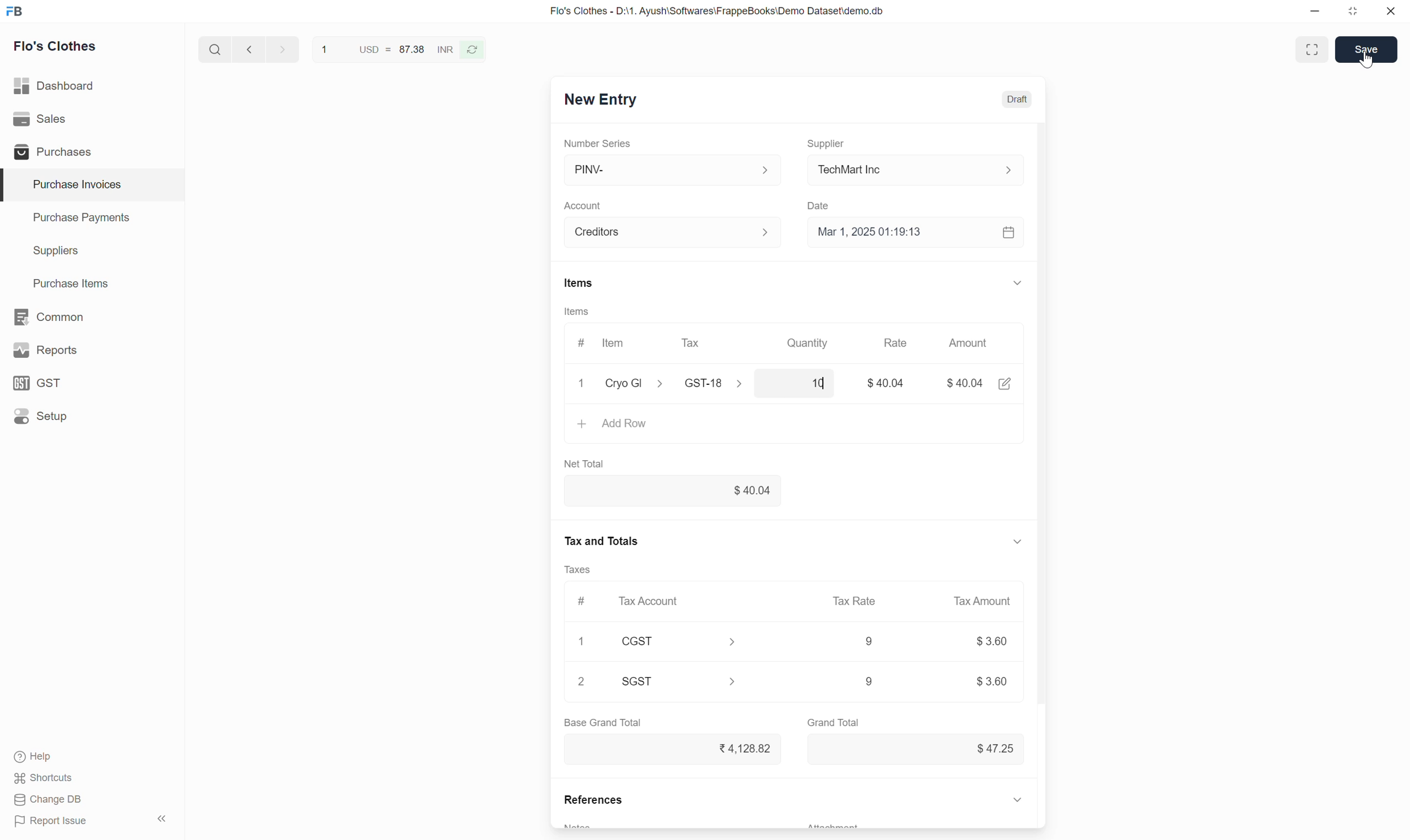  What do you see at coordinates (921, 169) in the screenshot?
I see `TechMart Inc.` at bounding box center [921, 169].